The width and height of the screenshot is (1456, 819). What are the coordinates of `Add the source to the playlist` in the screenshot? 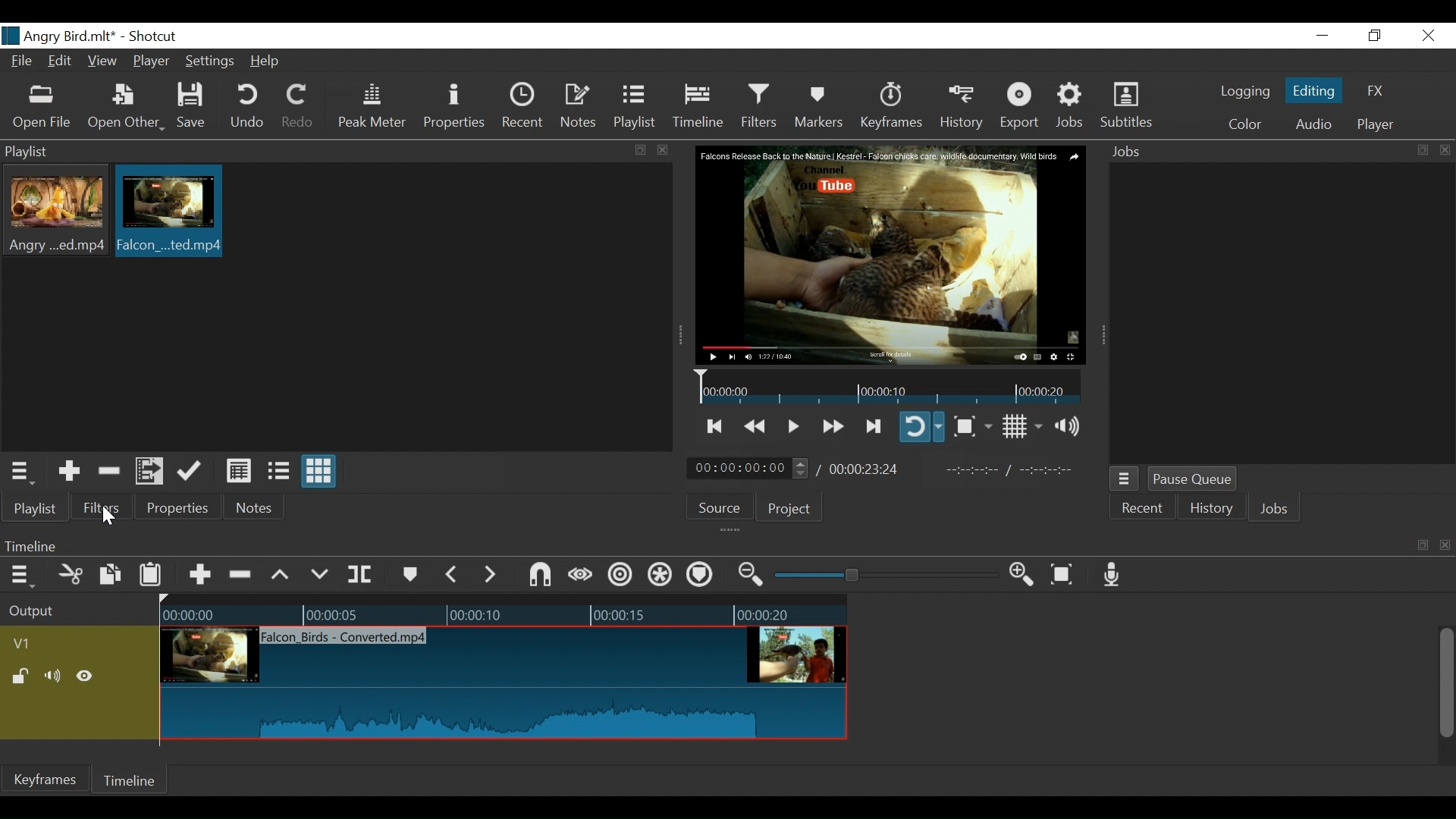 It's located at (71, 472).